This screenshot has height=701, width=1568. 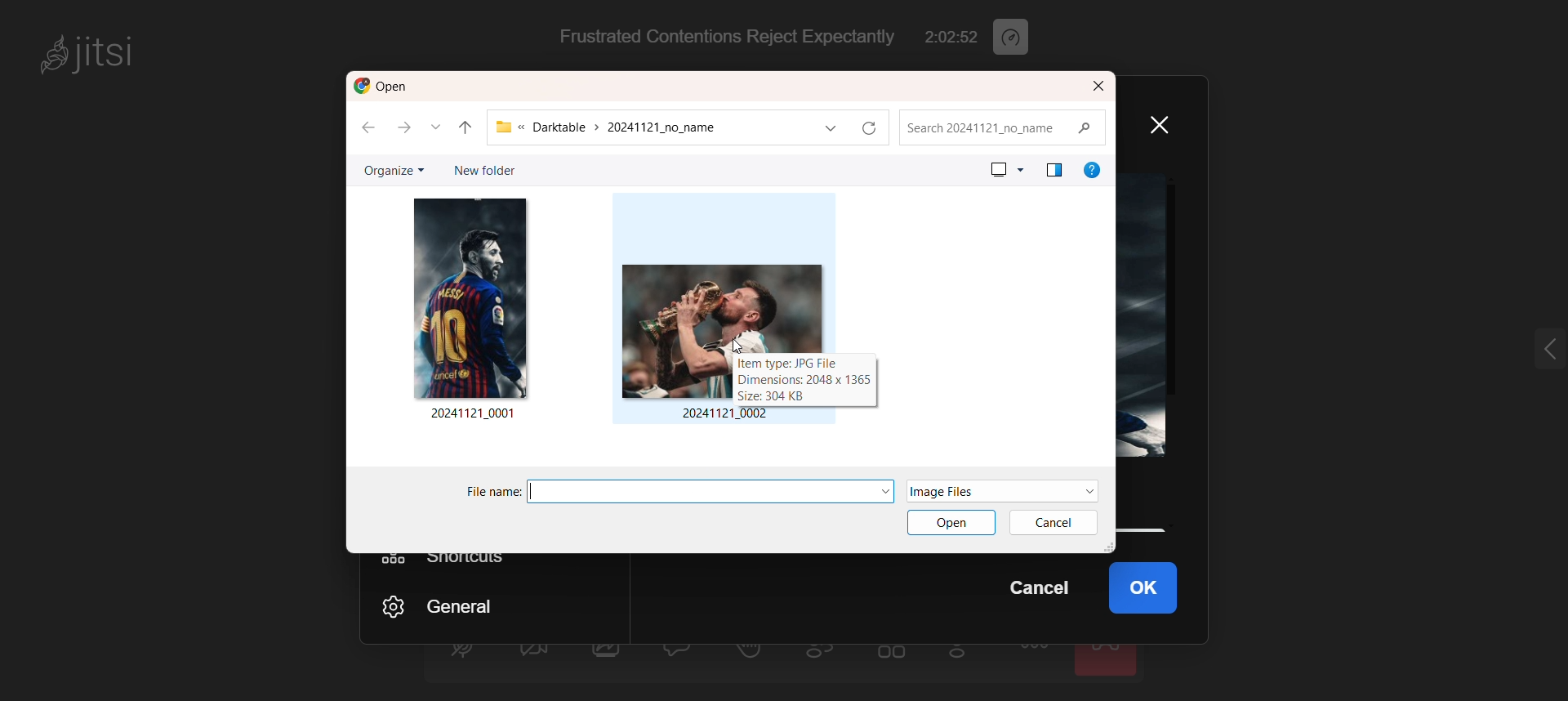 What do you see at coordinates (1005, 168) in the screenshot?
I see `preview` at bounding box center [1005, 168].